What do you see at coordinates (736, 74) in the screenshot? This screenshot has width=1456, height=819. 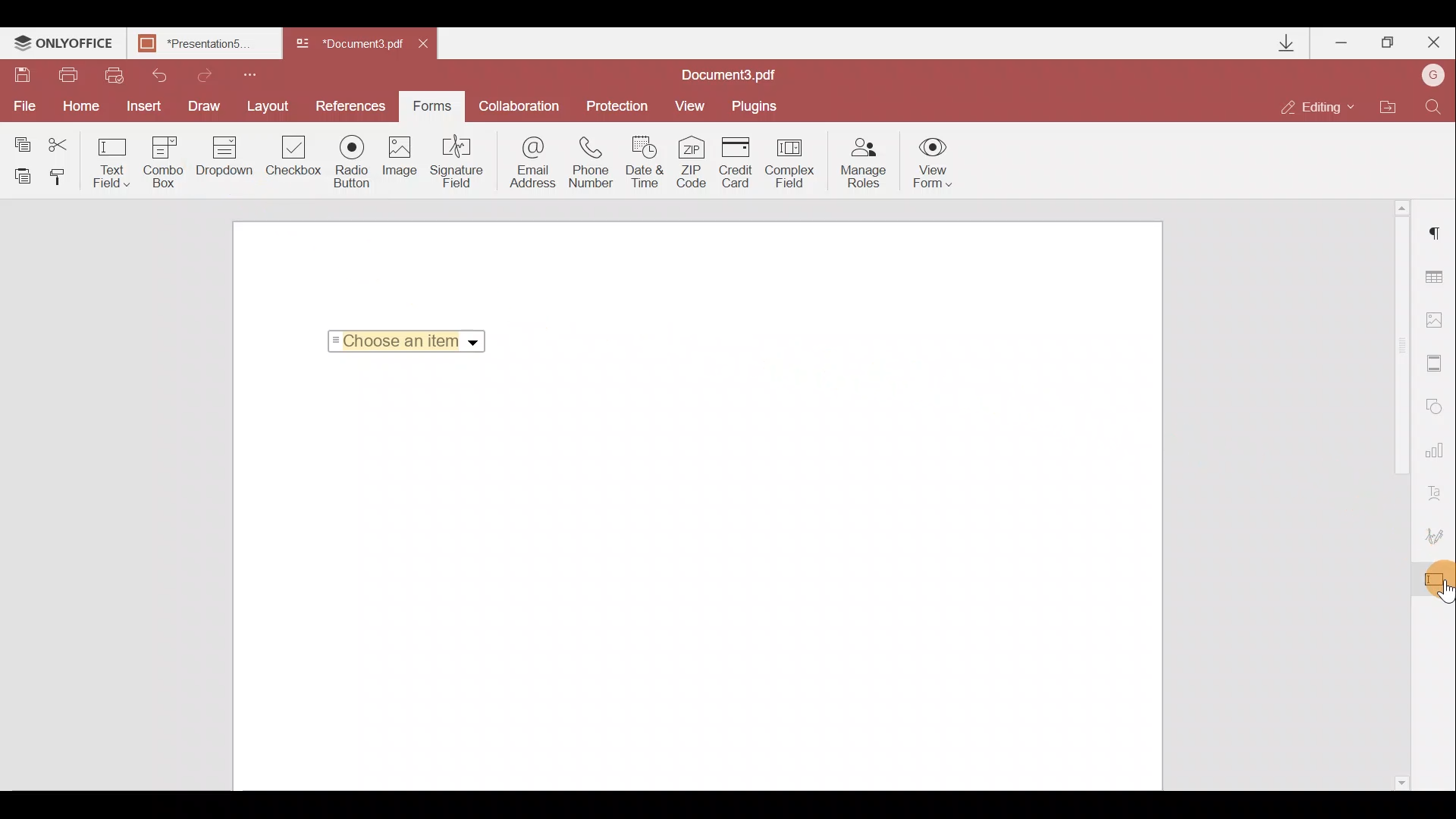 I see `Document name` at bounding box center [736, 74].